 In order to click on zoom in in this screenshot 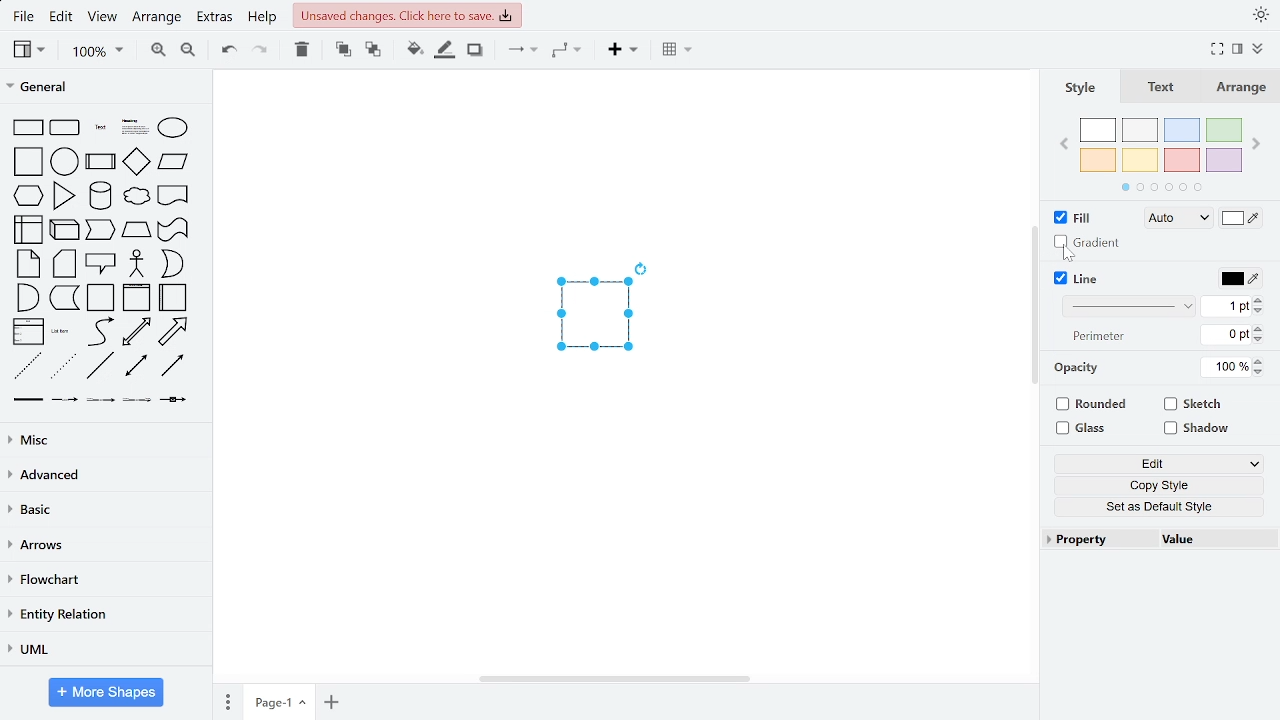, I will do `click(153, 51)`.